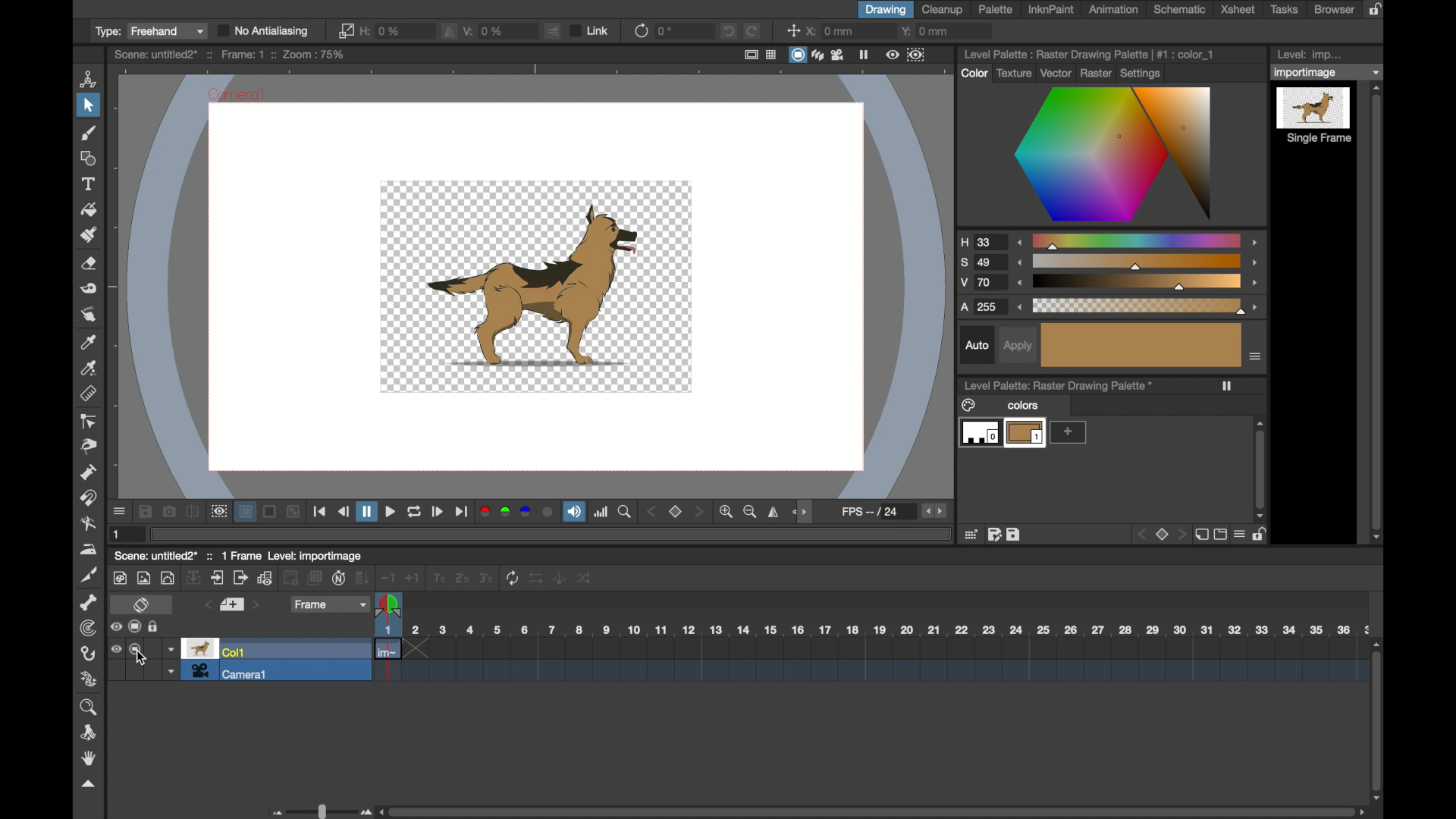 The width and height of the screenshot is (1456, 819). I want to click on scale, so click(1138, 240).